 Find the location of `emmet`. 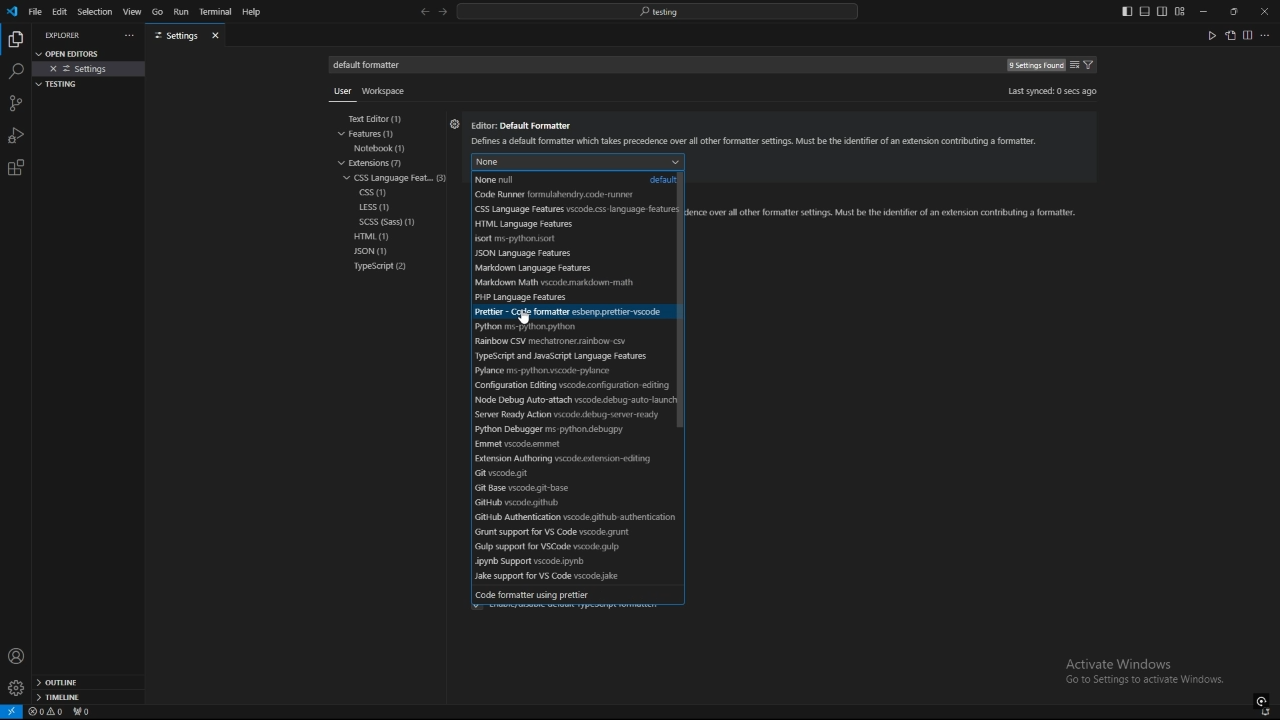

emmet is located at coordinates (545, 444).